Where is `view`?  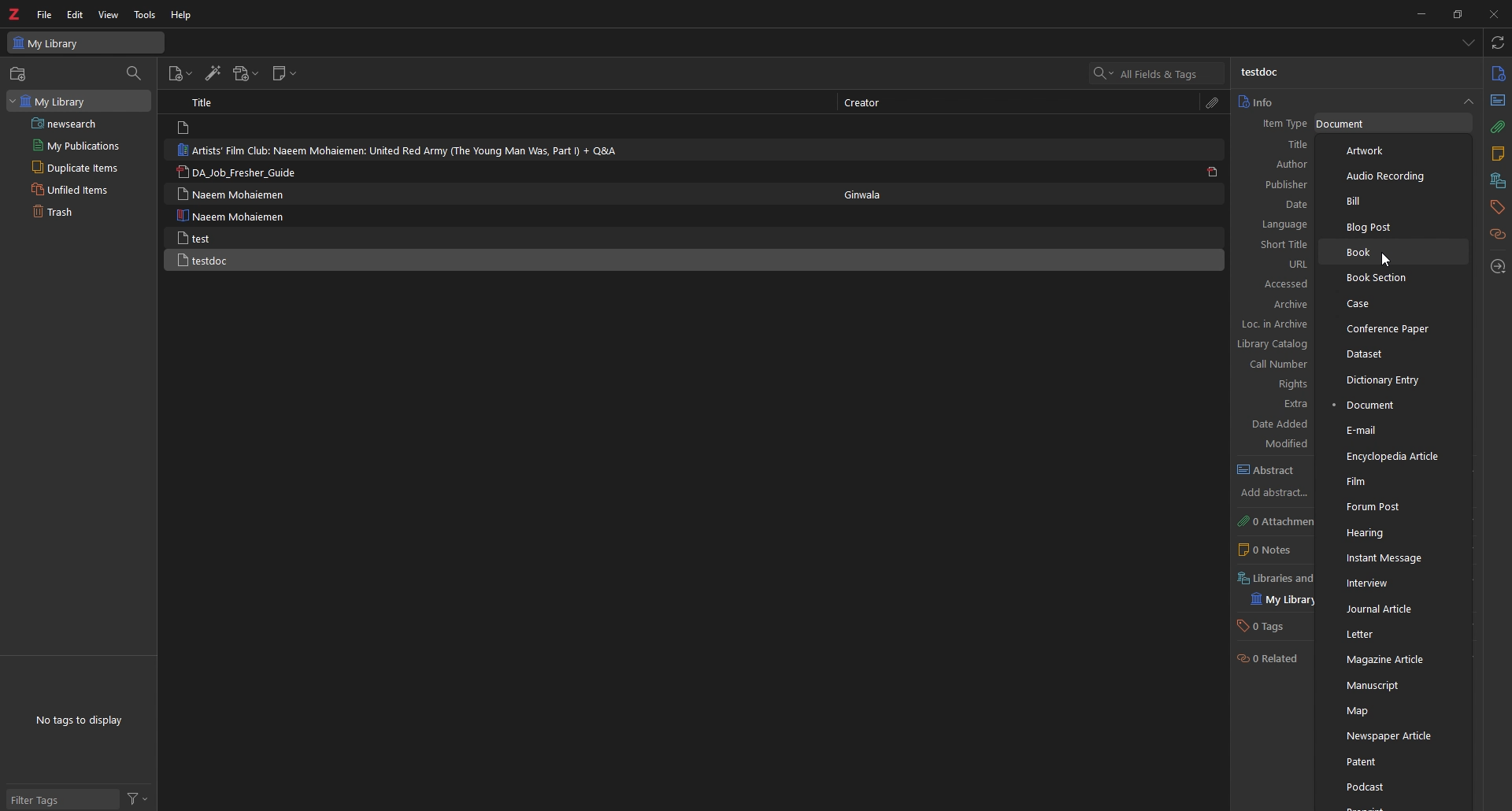 view is located at coordinates (108, 15).